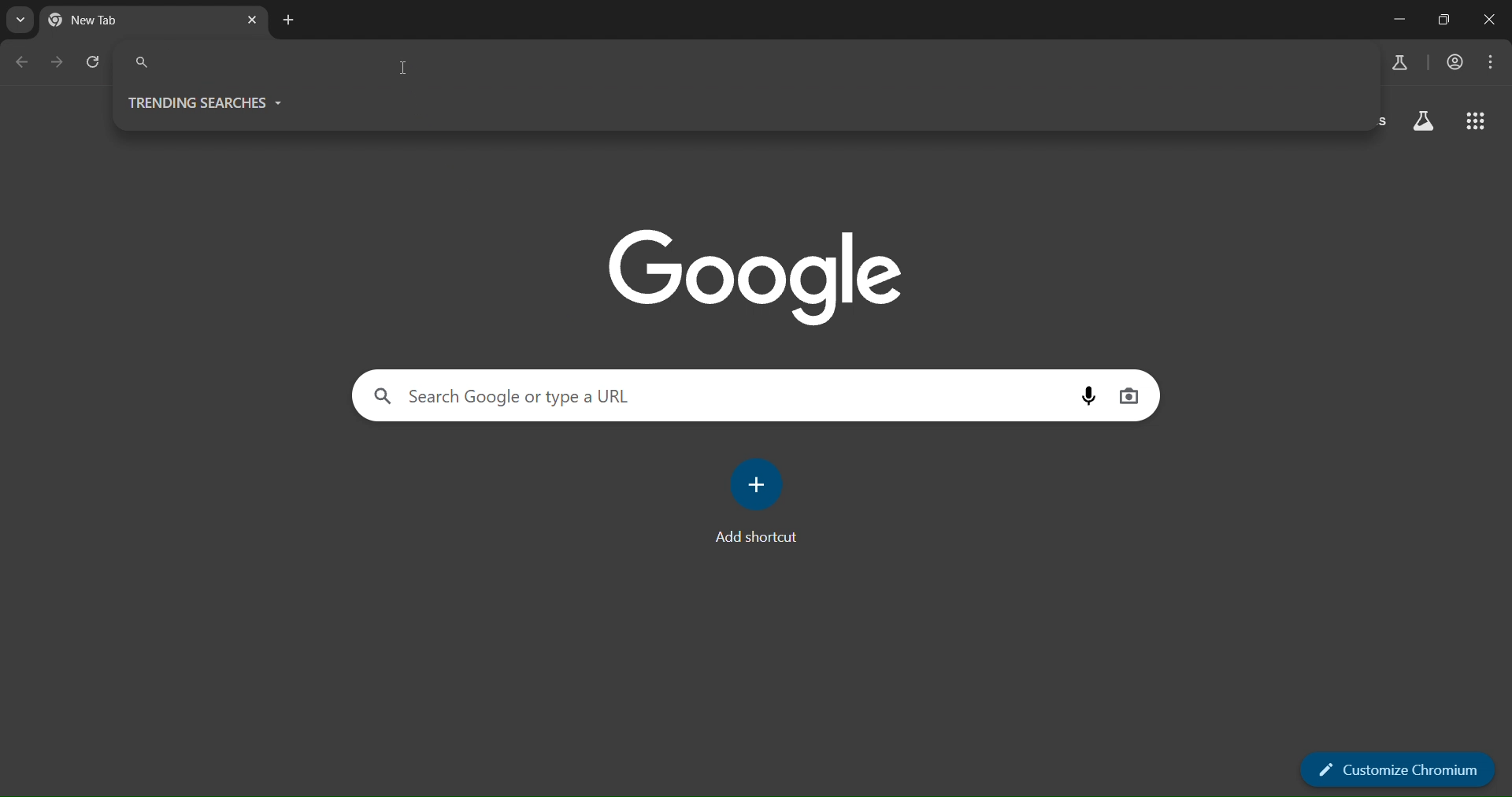 This screenshot has height=797, width=1512. What do you see at coordinates (1399, 769) in the screenshot?
I see `customize chromium` at bounding box center [1399, 769].